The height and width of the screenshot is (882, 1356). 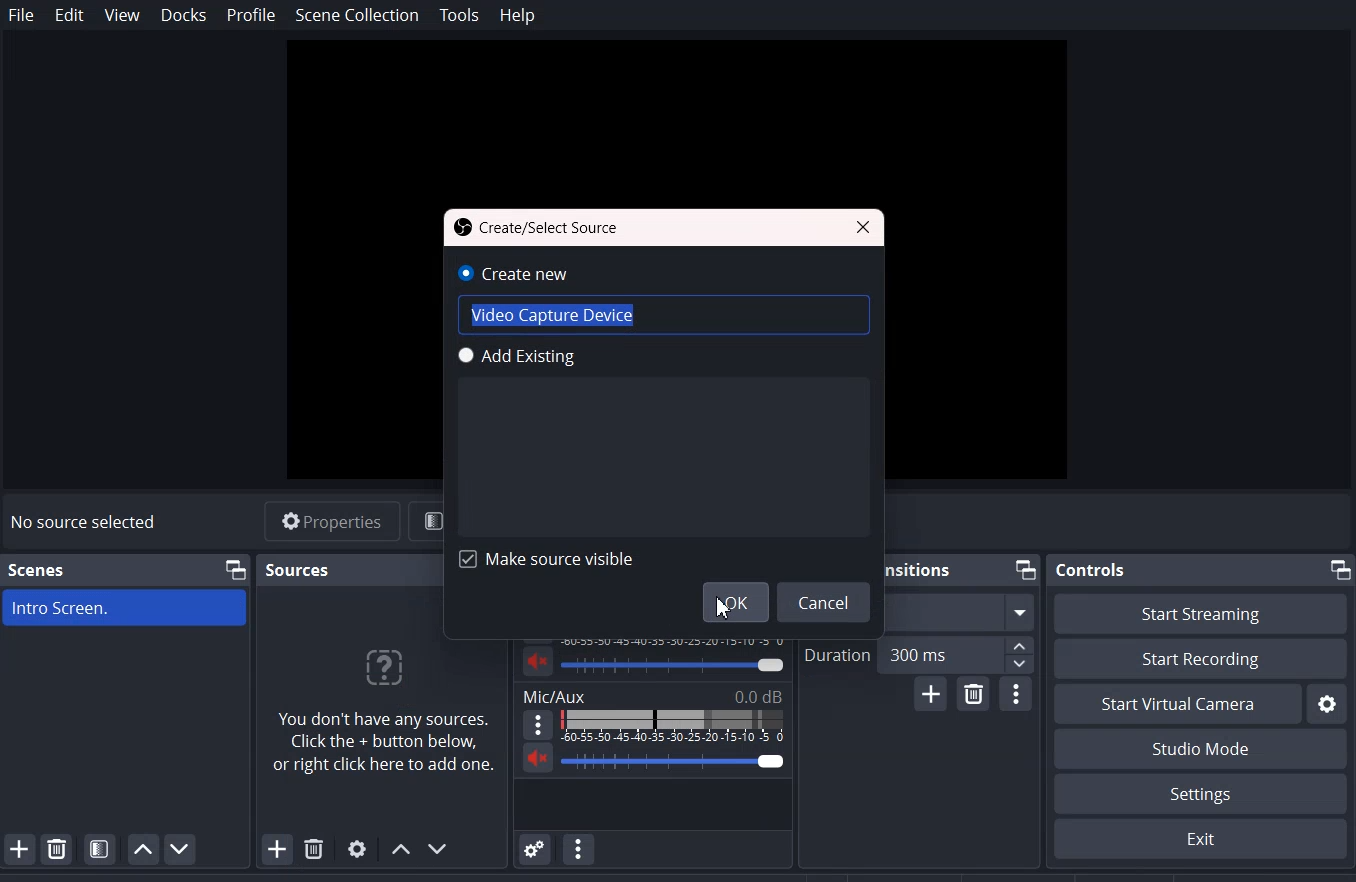 I want to click on Cancel, so click(x=826, y=602).